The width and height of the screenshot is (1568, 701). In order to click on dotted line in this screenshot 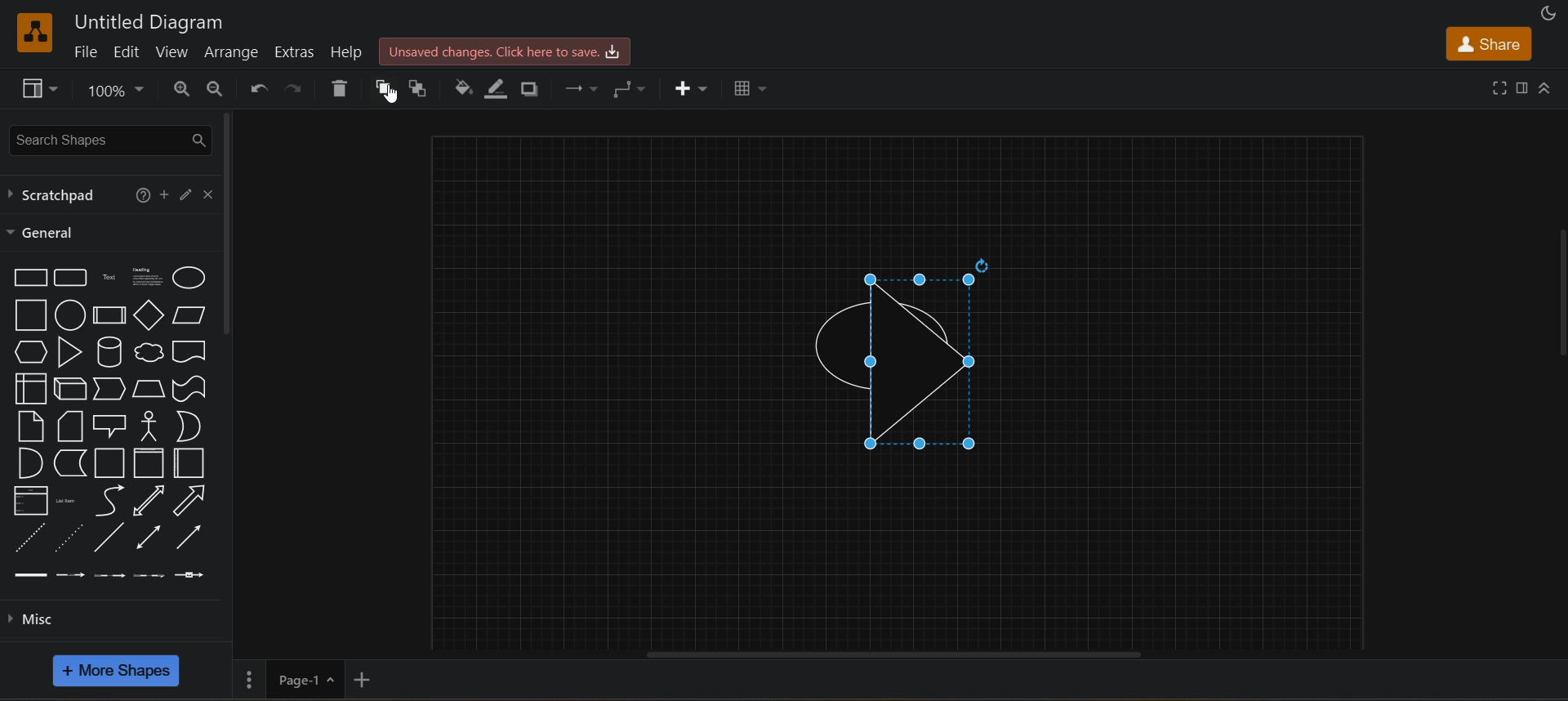, I will do `click(69, 537)`.